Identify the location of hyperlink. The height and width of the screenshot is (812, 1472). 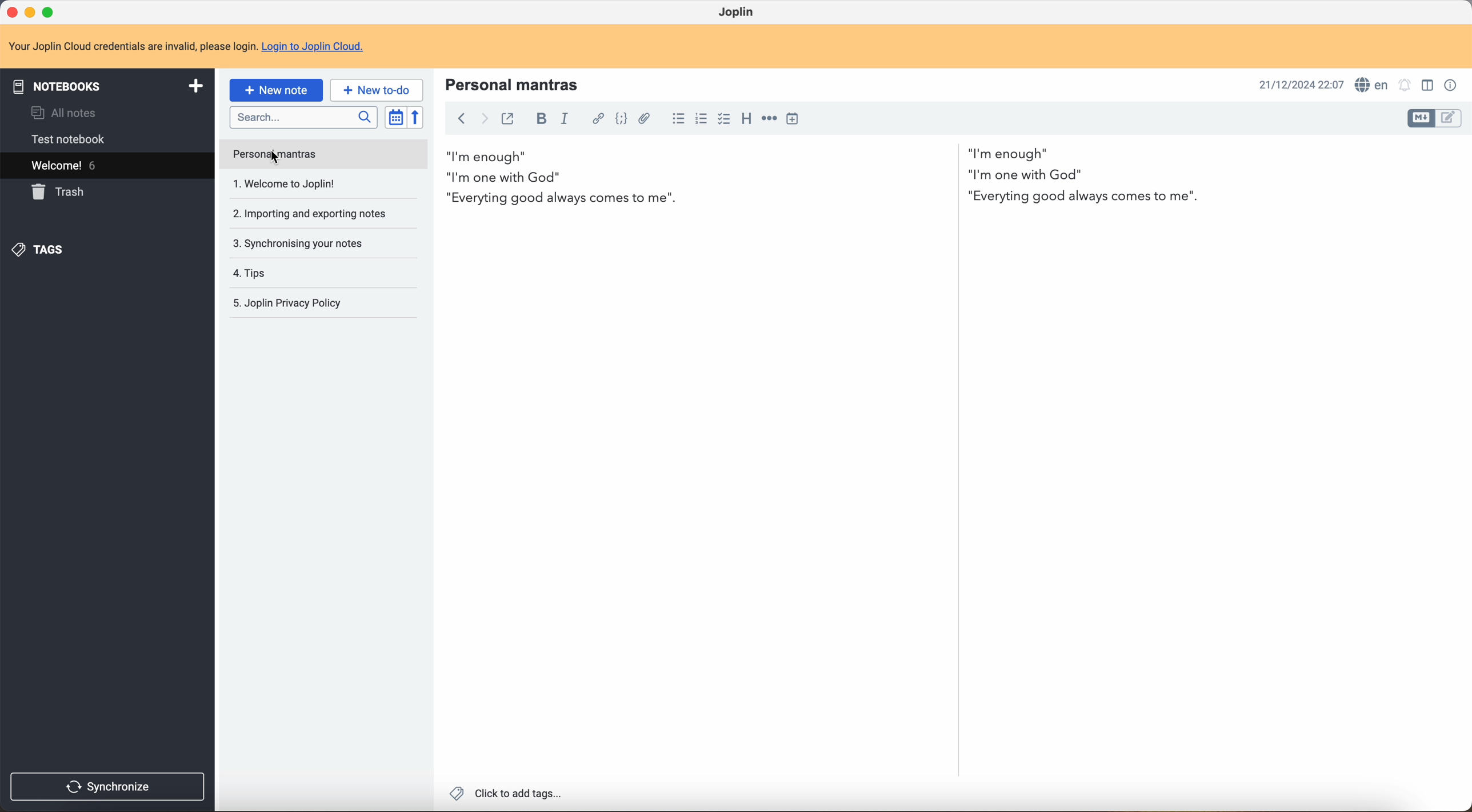
(596, 119).